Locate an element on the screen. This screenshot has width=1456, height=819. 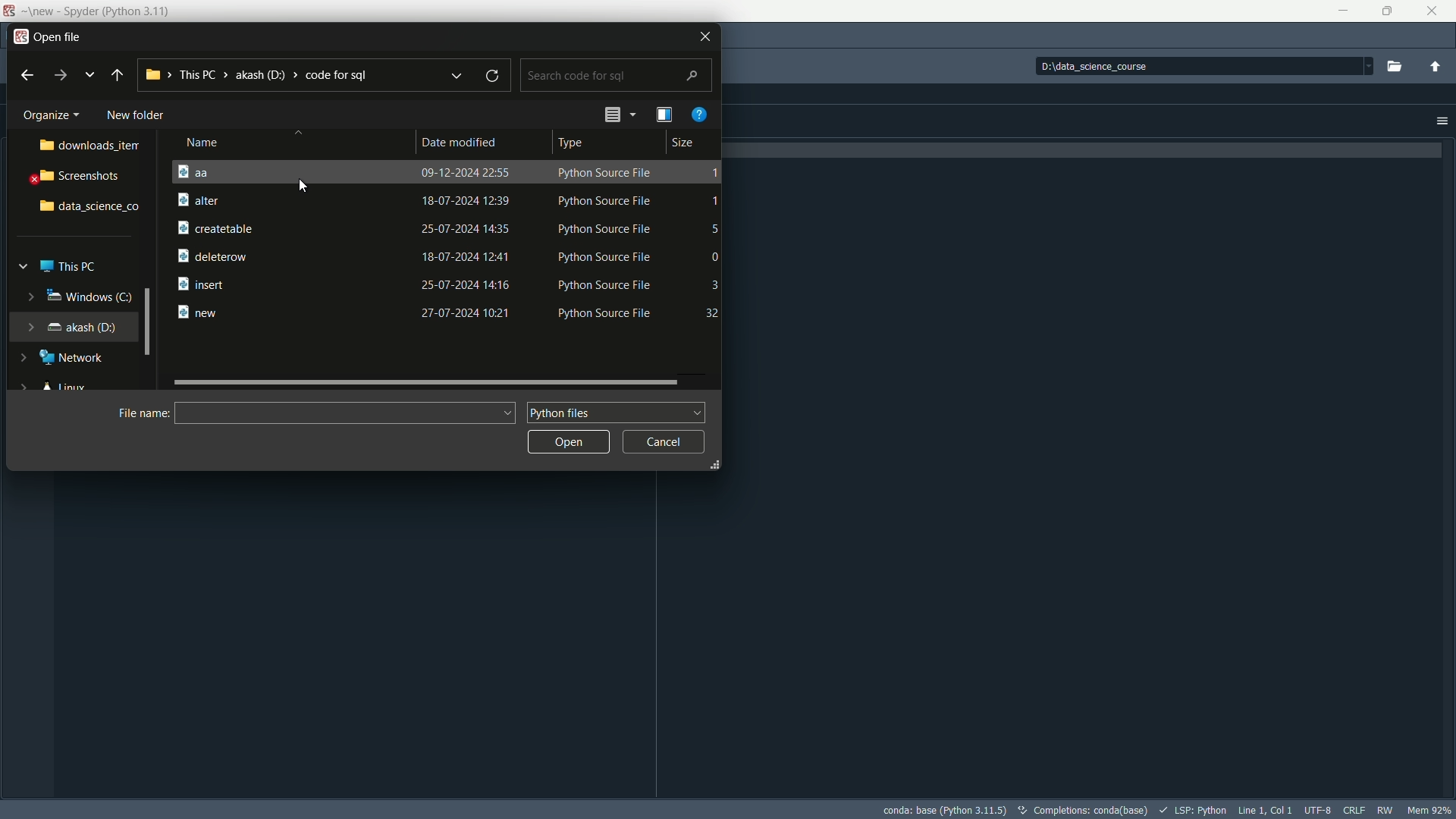
open file is located at coordinates (49, 33).